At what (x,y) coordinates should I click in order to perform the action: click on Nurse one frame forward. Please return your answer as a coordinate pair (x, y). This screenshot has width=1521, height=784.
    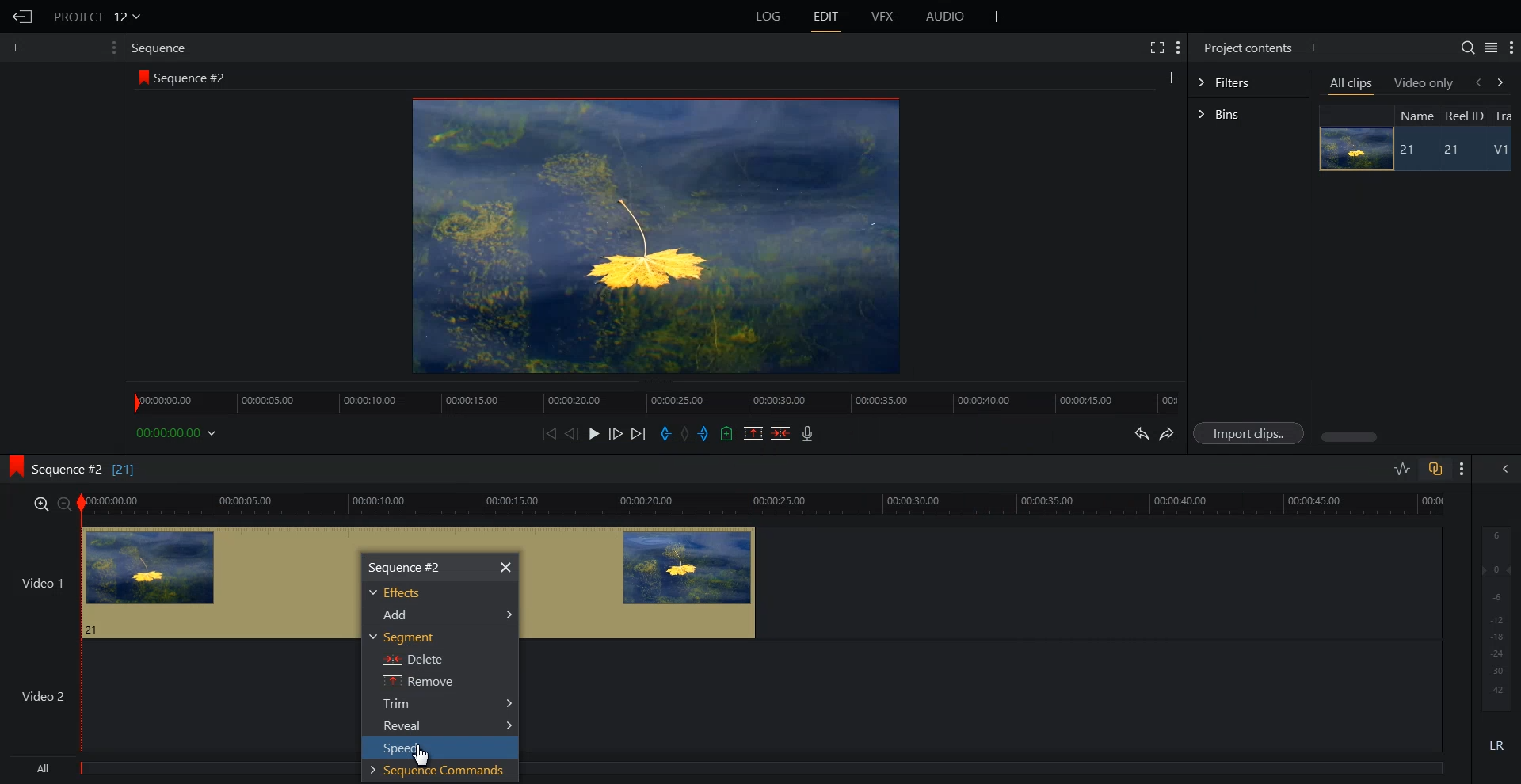
    Looking at the image, I should click on (616, 433).